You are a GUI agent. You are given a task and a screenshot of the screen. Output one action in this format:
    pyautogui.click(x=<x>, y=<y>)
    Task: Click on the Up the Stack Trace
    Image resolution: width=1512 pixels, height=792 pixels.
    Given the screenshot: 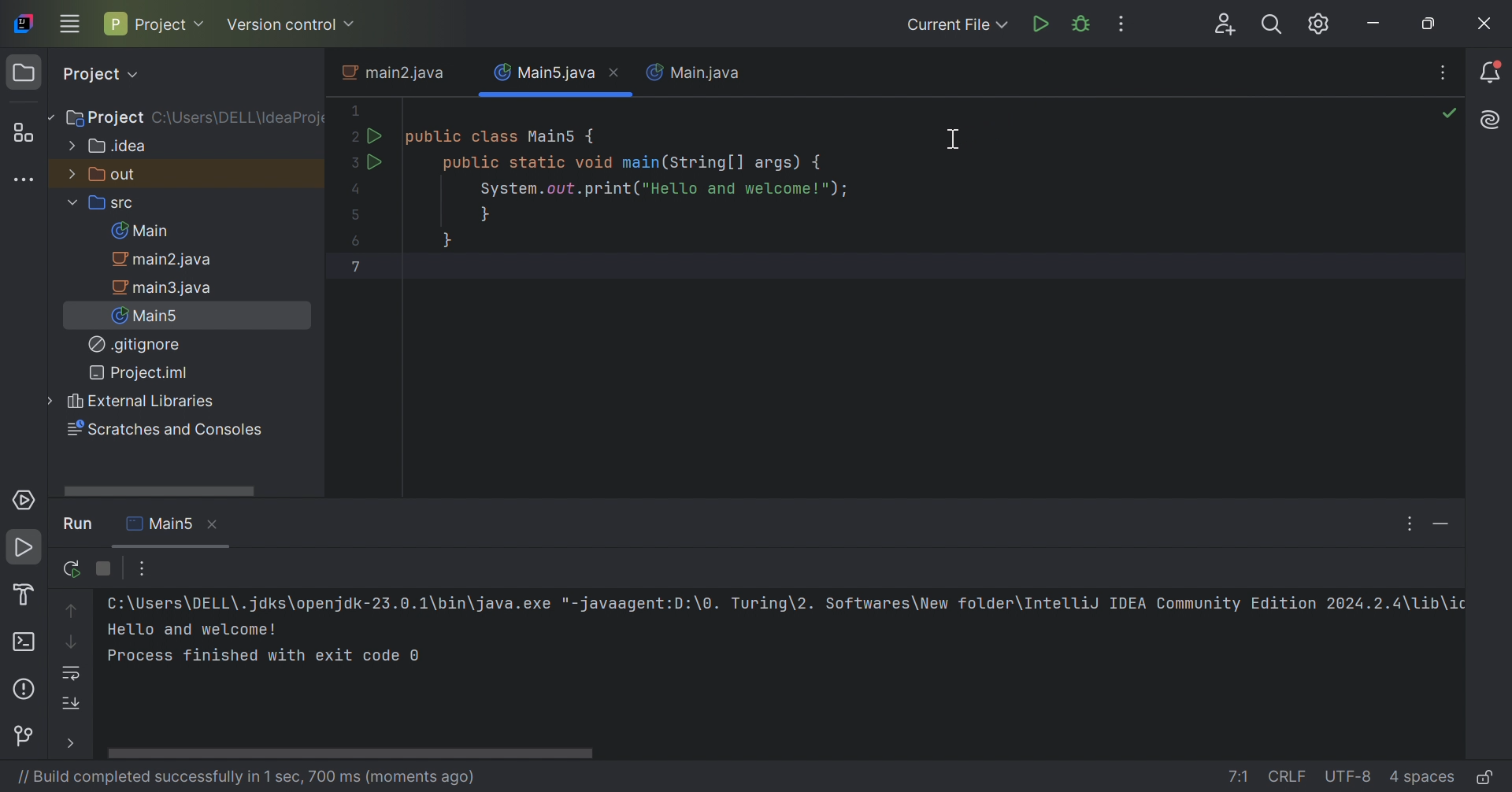 What is the action you would take?
    pyautogui.click(x=74, y=609)
    